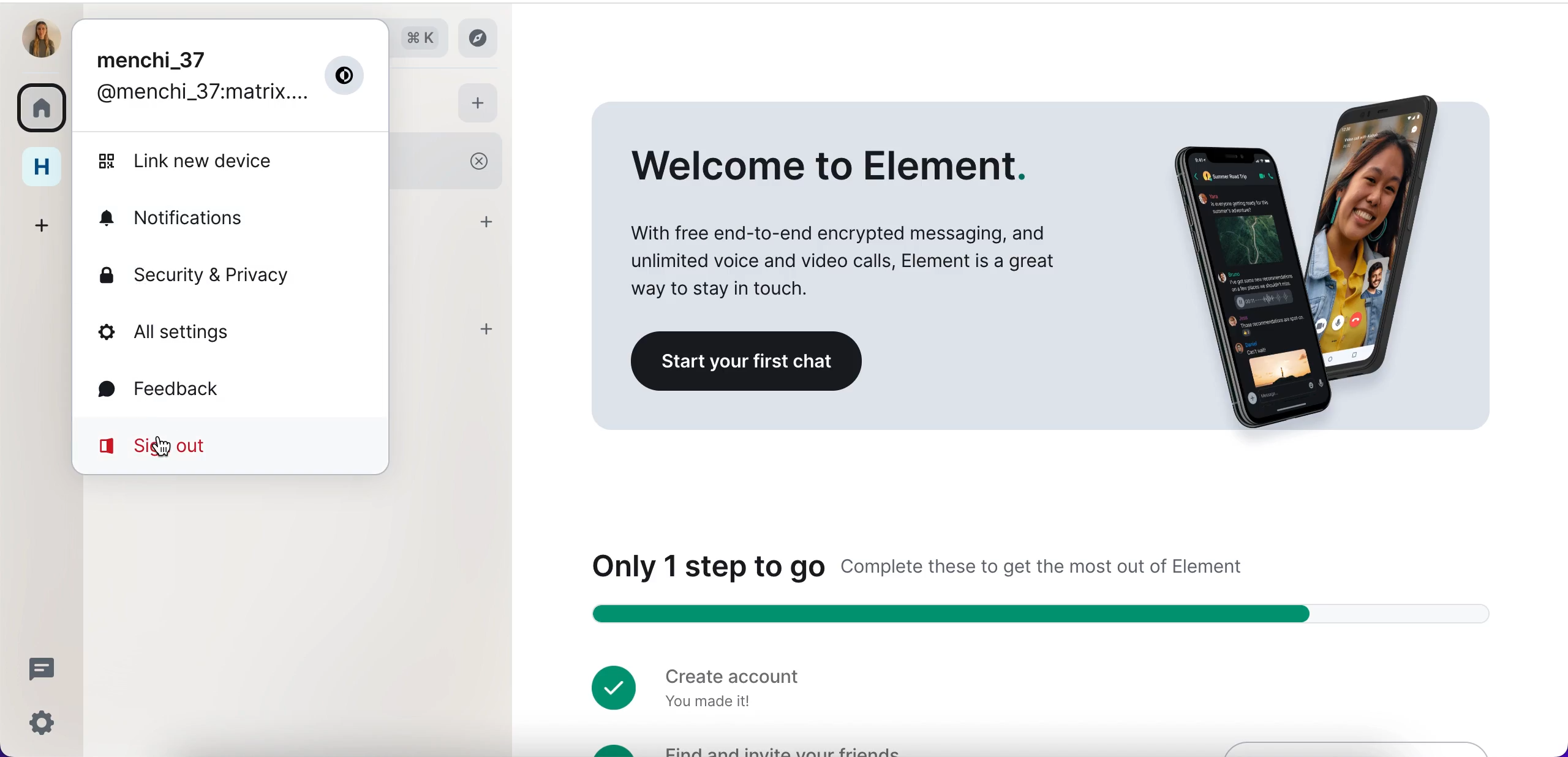 This screenshot has width=1568, height=757. Describe the element at coordinates (202, 218) in the screenshot. I see `notifications` at that location.